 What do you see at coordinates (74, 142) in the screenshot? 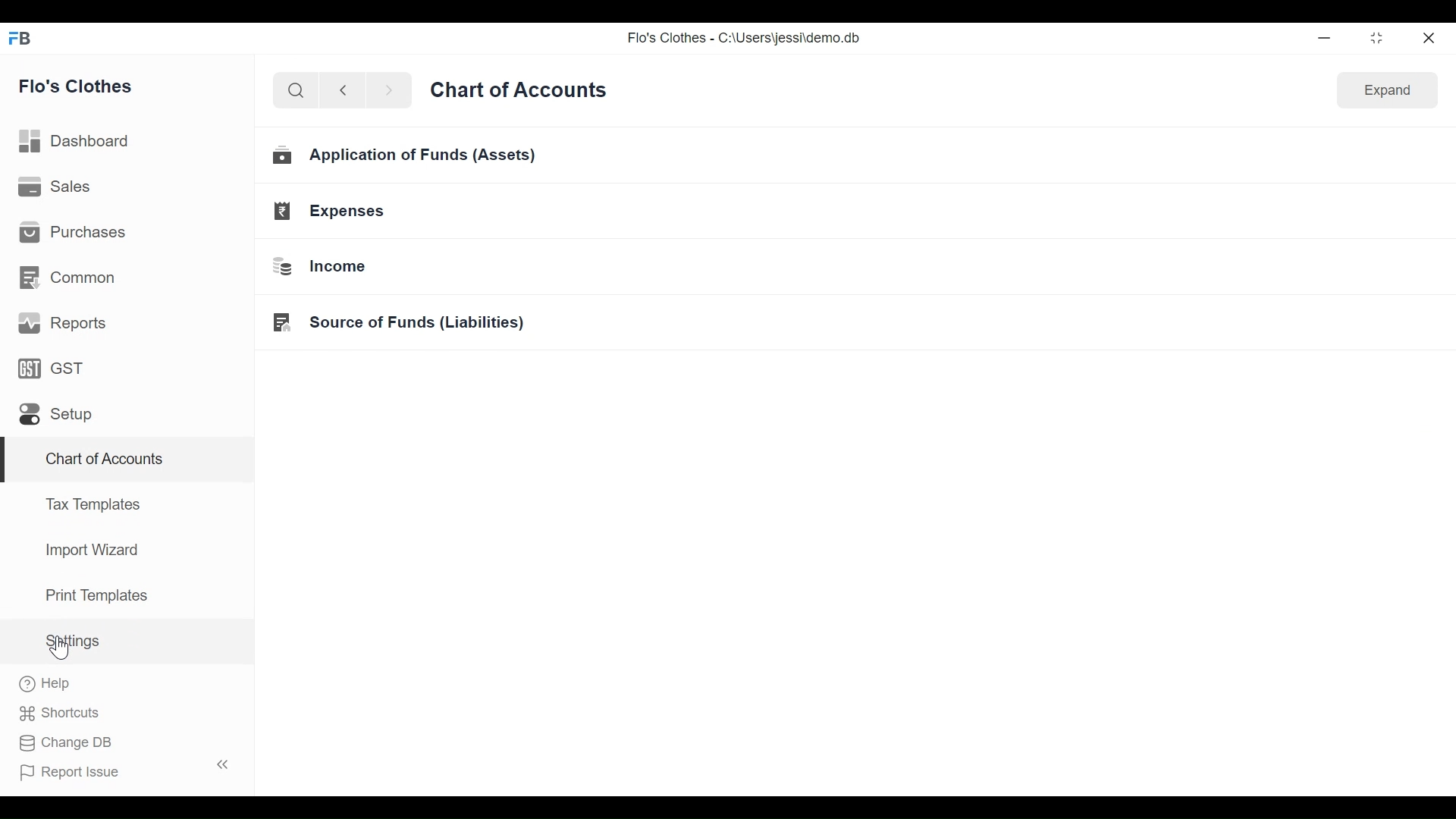
I see `Dashboard` at bounding box center [74, 142].